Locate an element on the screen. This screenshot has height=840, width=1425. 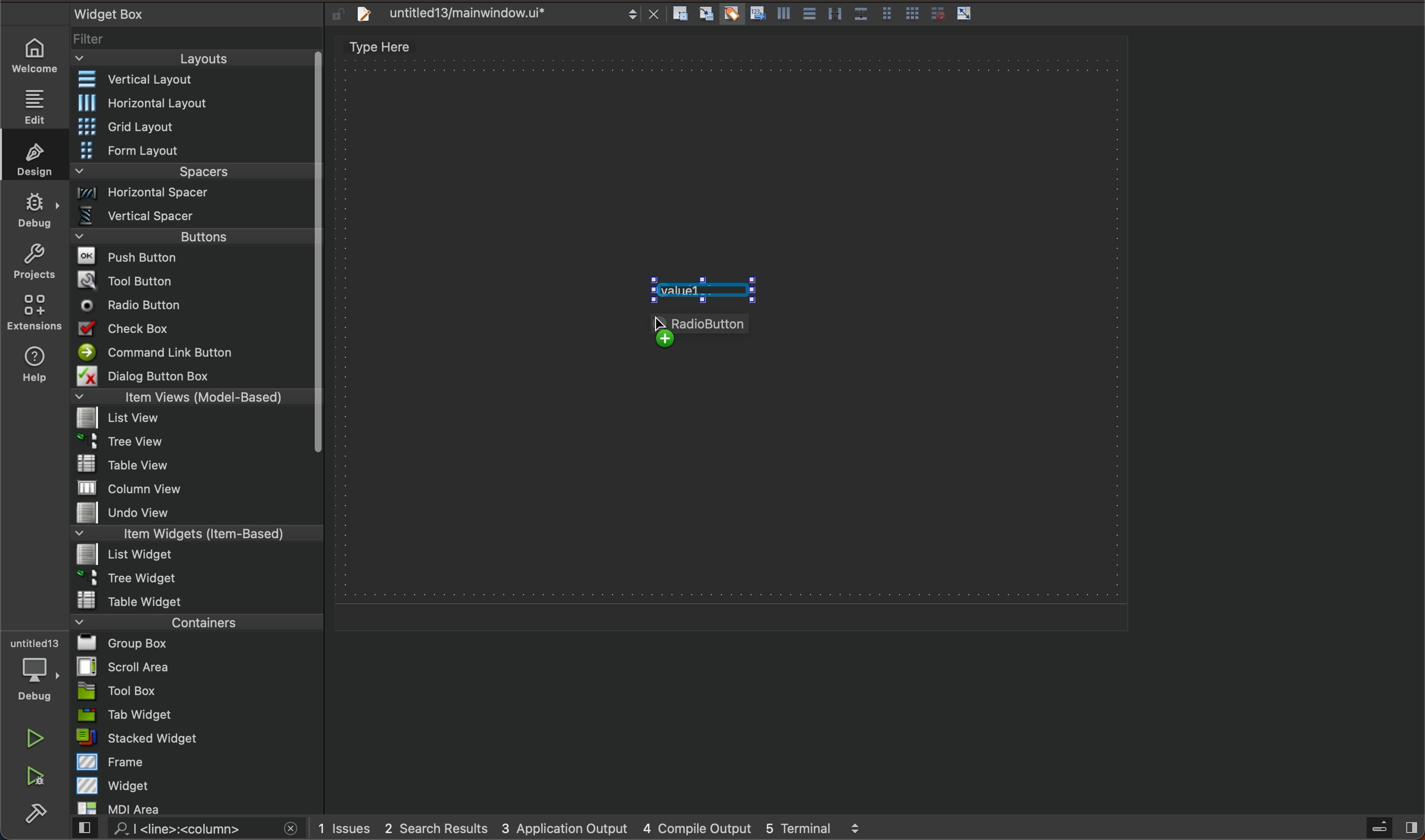
 is located at coordinates (190, 445).